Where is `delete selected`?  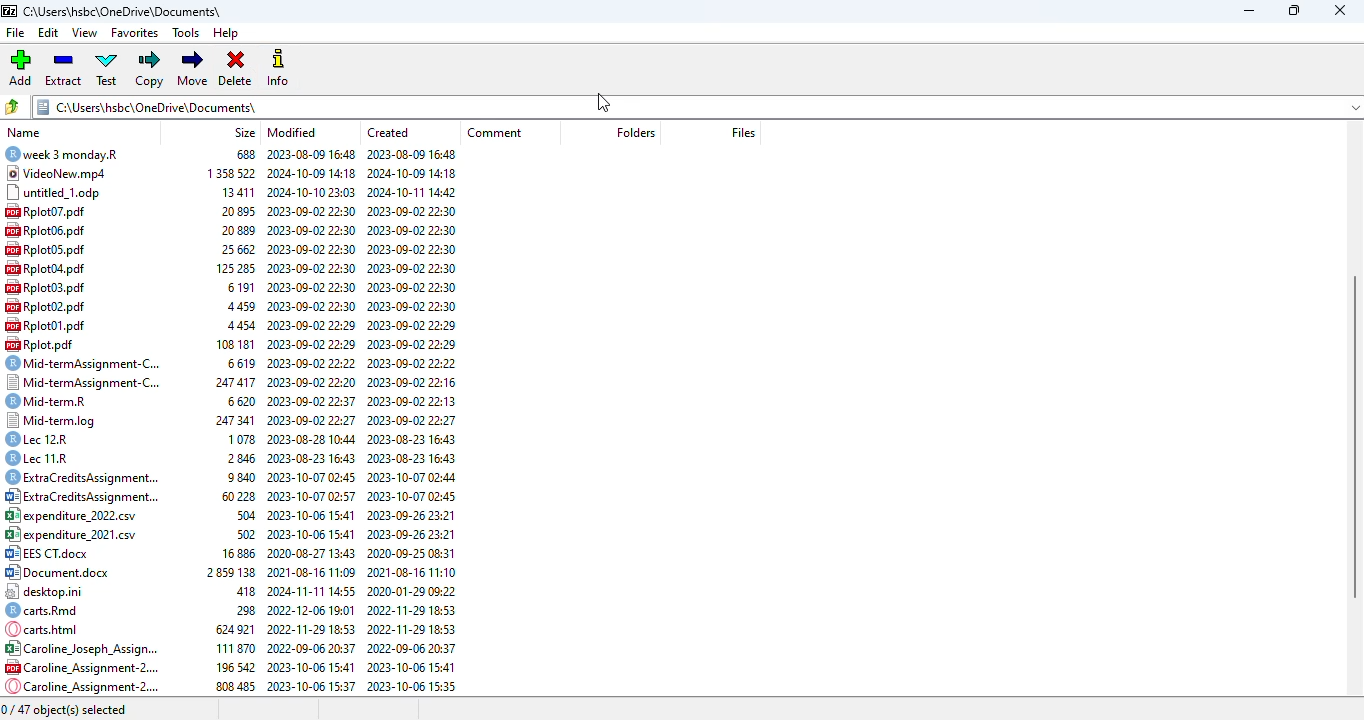 delete selected is located at coordinates (236, 70).